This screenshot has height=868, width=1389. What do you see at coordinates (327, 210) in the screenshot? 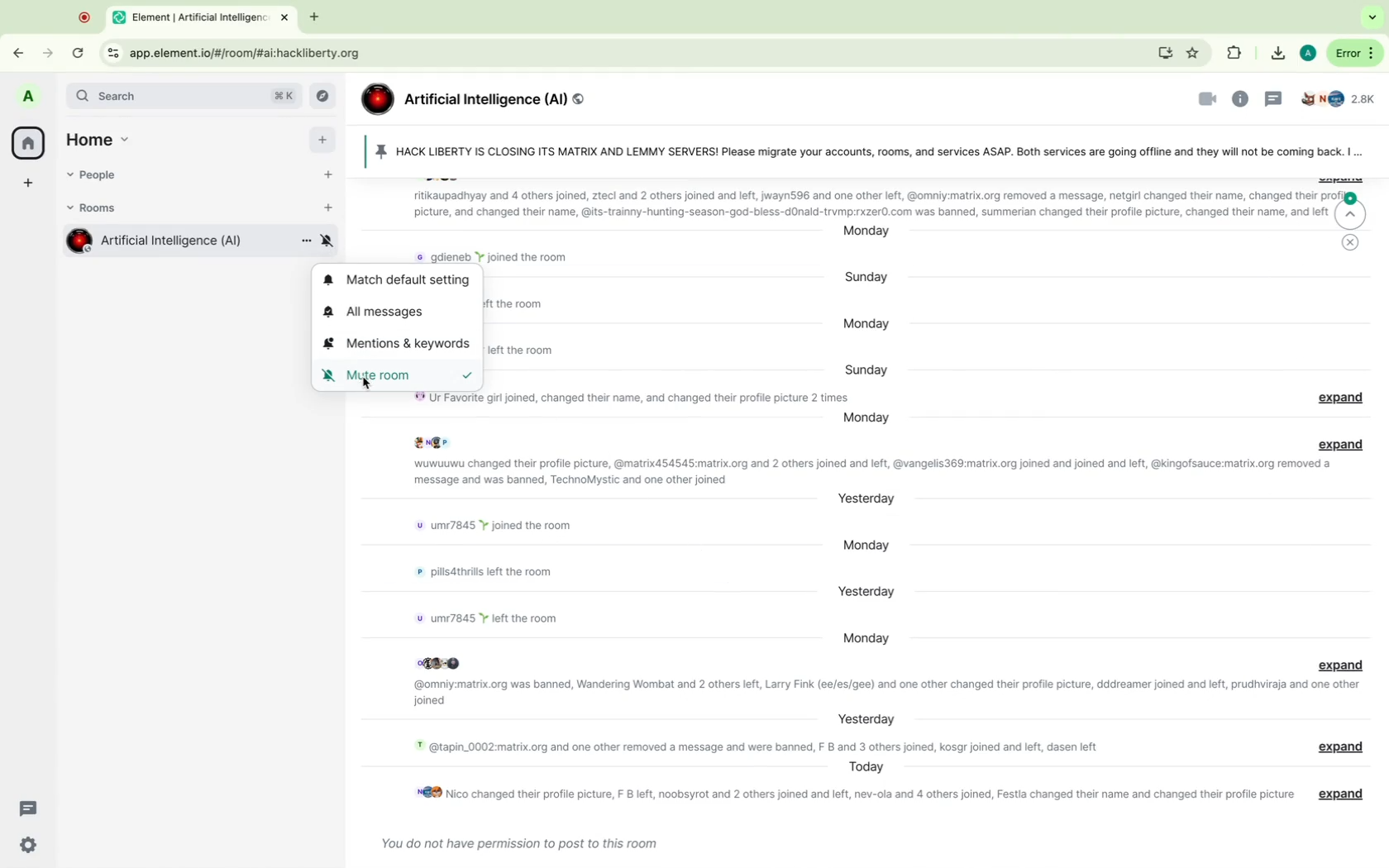
I see `add rooms` at bounding box center [327, 210].